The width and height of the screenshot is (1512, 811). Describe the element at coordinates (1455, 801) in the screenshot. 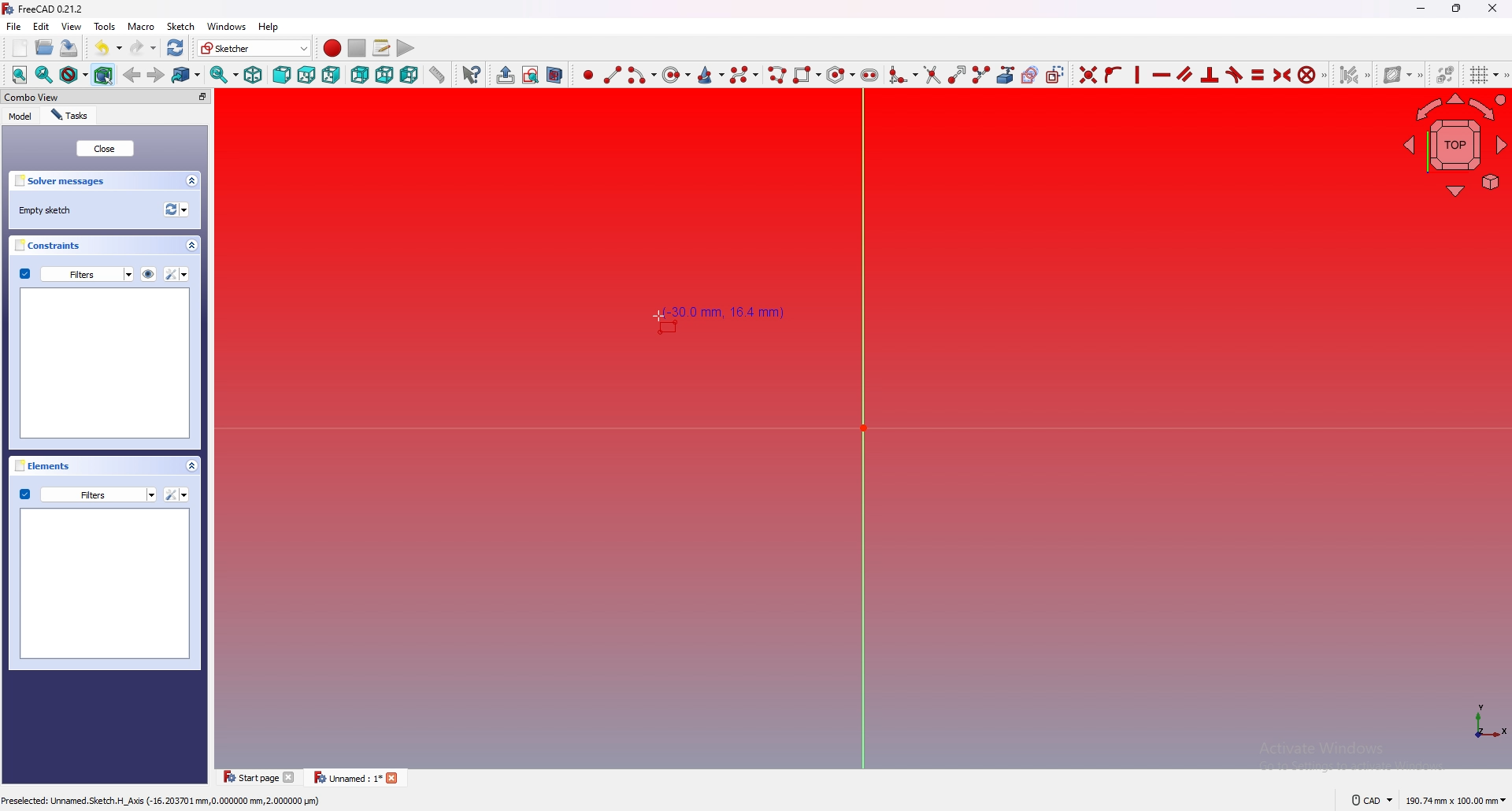

I see `dimensions` at that location.